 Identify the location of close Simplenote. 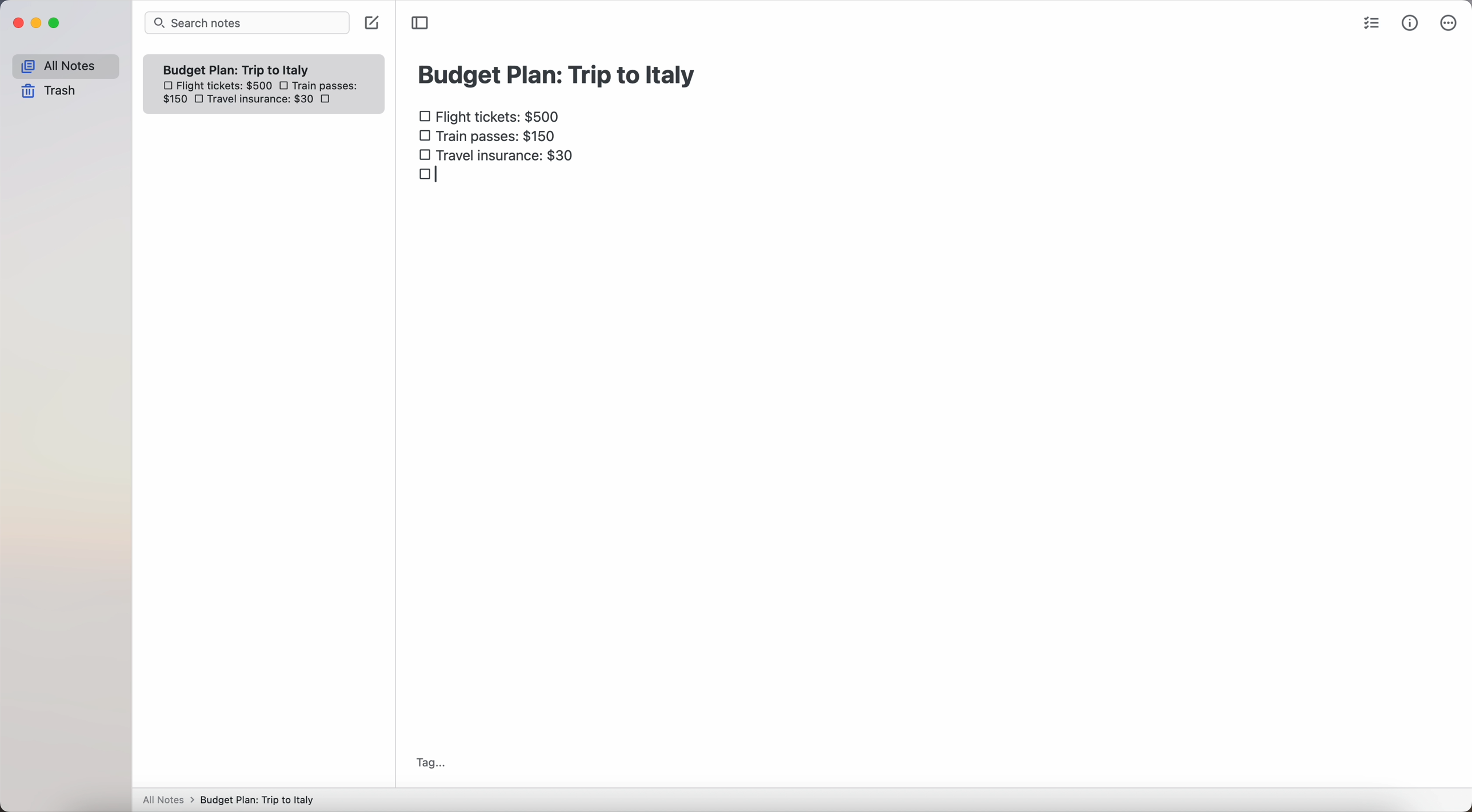
(18, 23).